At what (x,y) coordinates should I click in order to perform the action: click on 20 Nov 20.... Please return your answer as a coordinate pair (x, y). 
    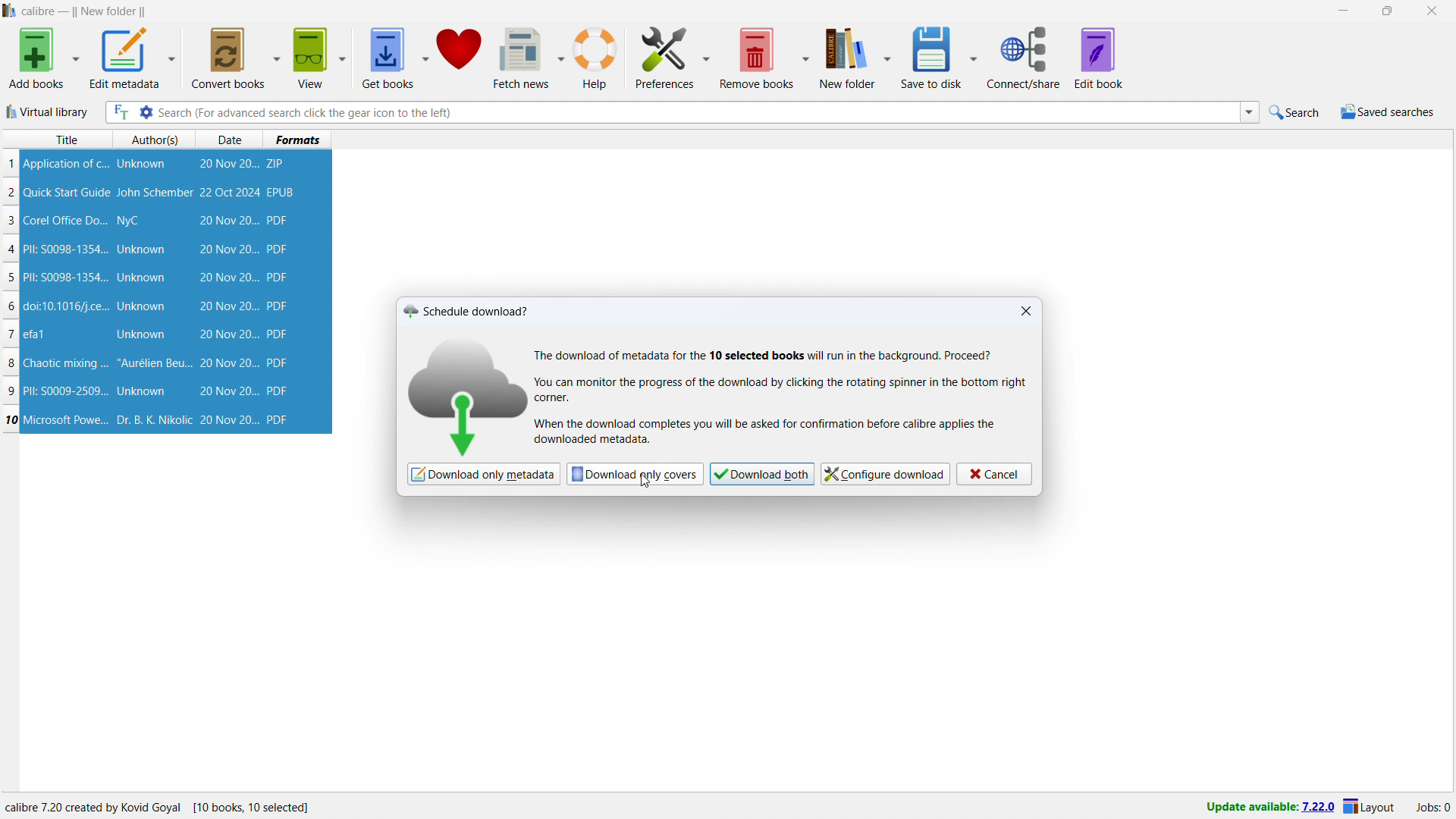
    Looking at the image, I should click on (227, 249).